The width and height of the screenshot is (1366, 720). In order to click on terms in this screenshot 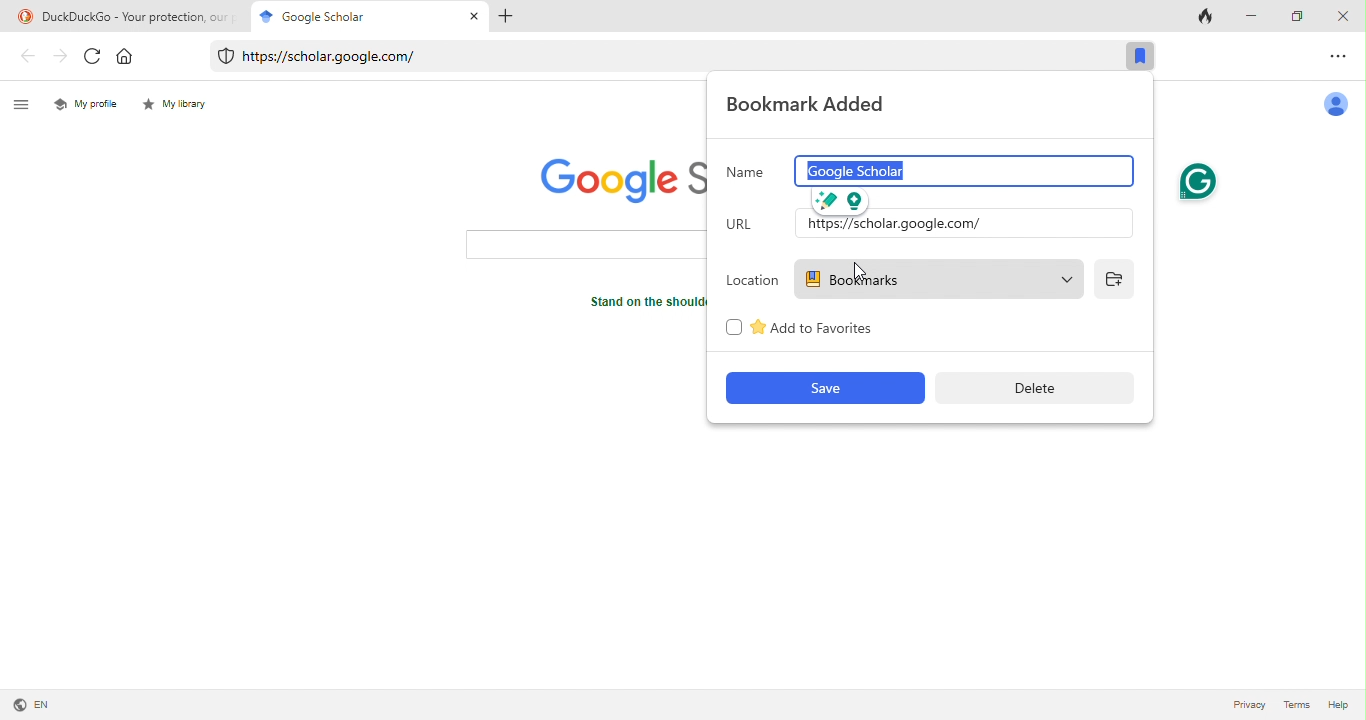, I will do `click(1296, 707)`.